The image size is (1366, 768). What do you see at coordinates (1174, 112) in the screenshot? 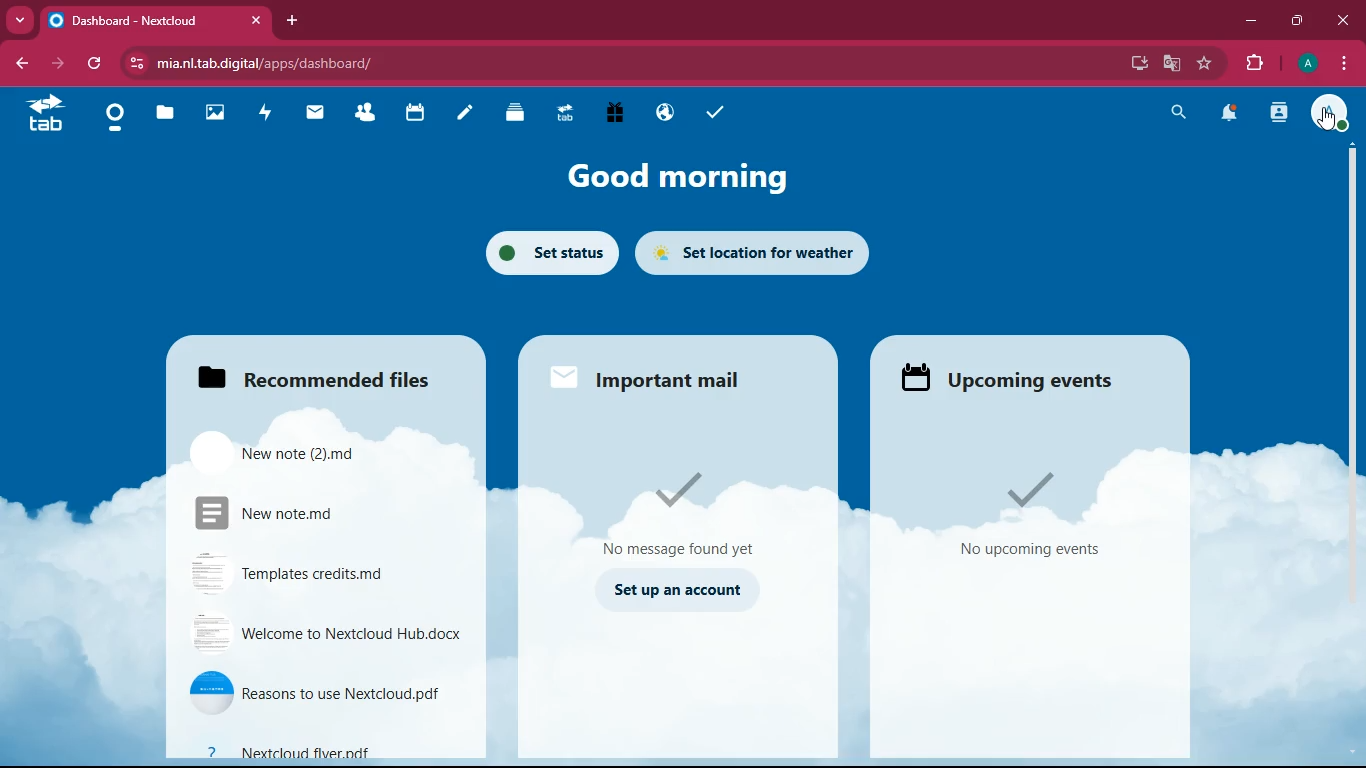
I see `search` at bounding box center [1174, 112].